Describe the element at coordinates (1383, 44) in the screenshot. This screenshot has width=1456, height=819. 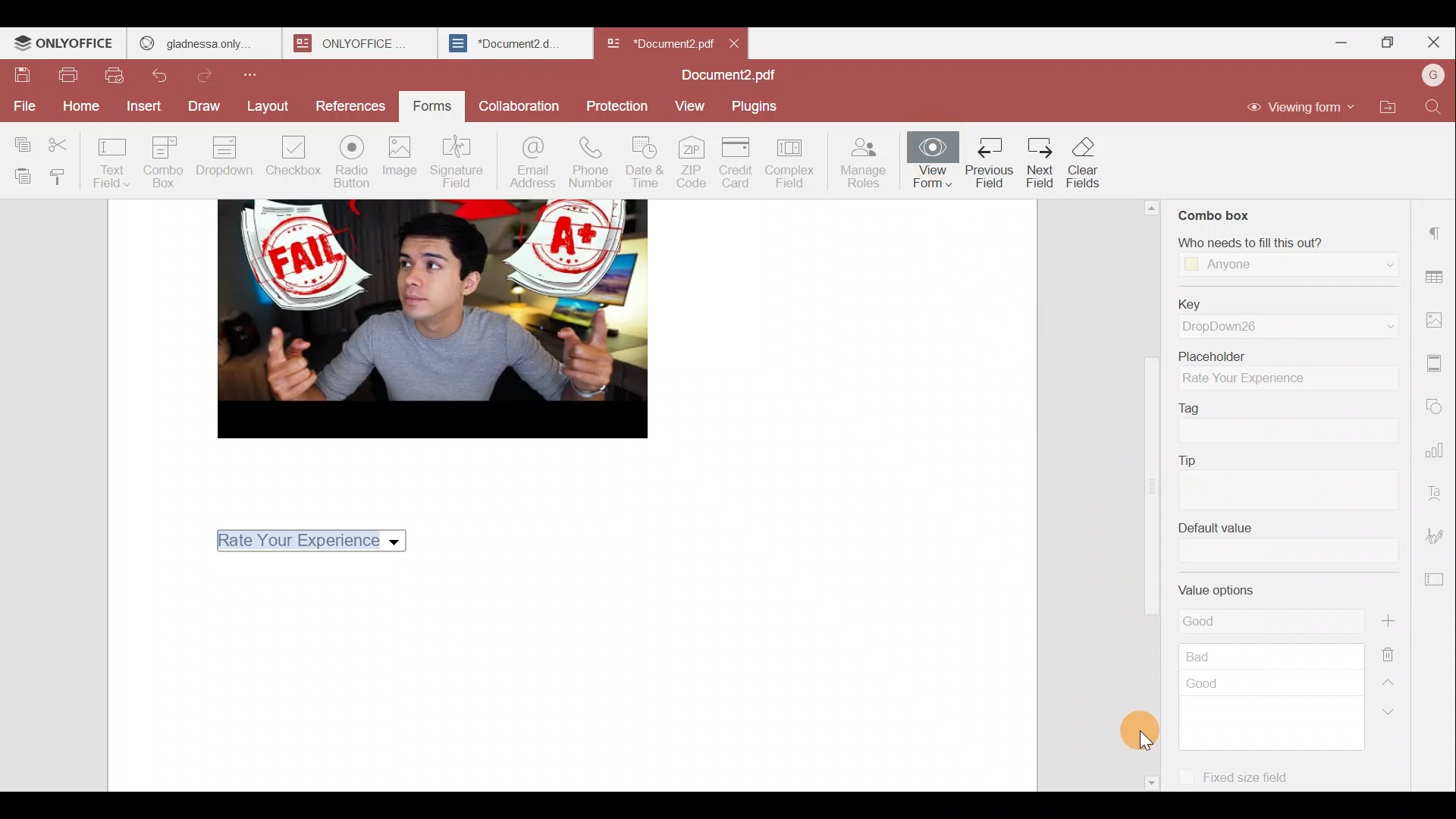
I see `Maximize` at that location.